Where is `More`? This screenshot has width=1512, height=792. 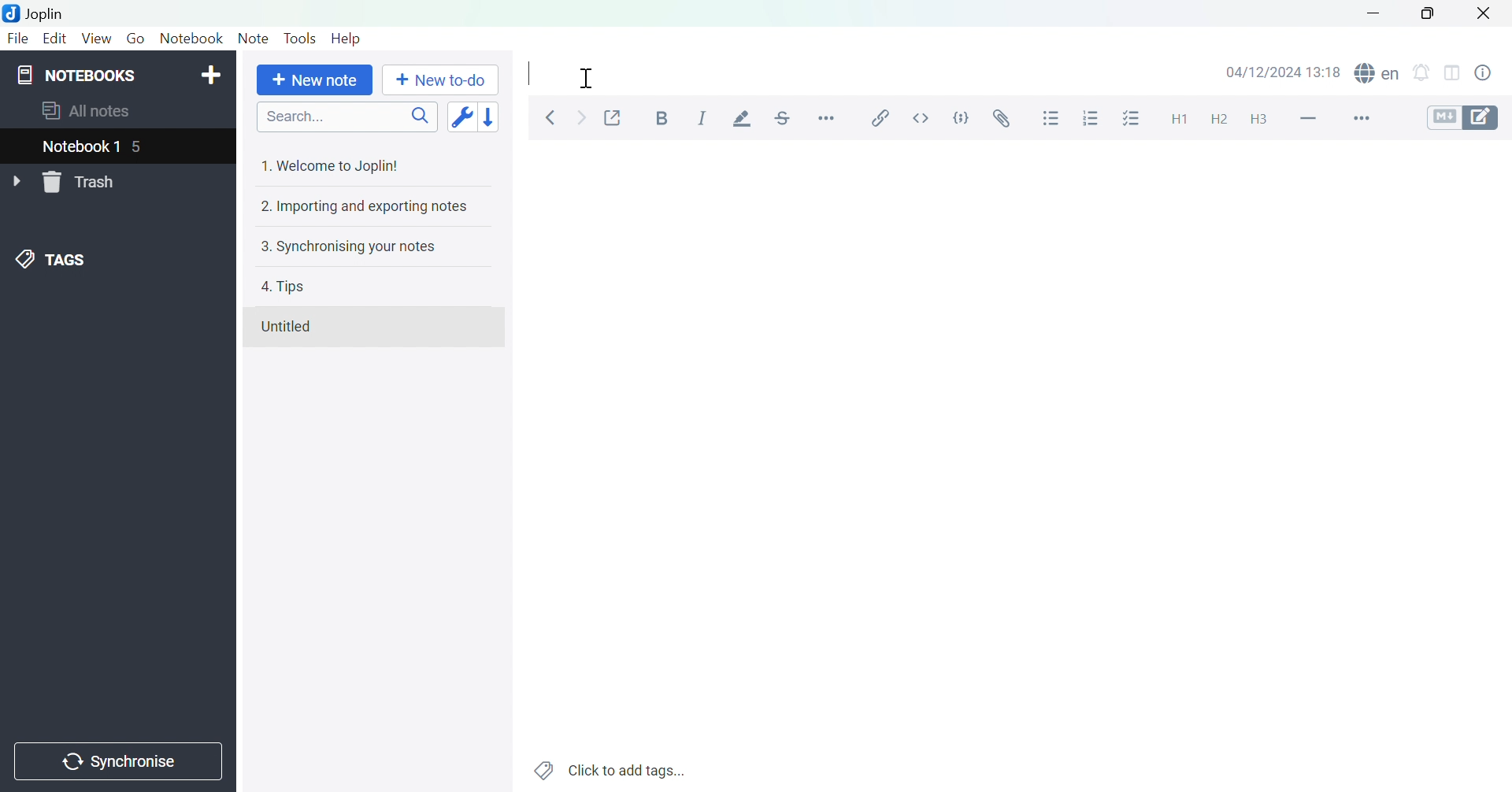
More is located at coordinates (1367, 118).